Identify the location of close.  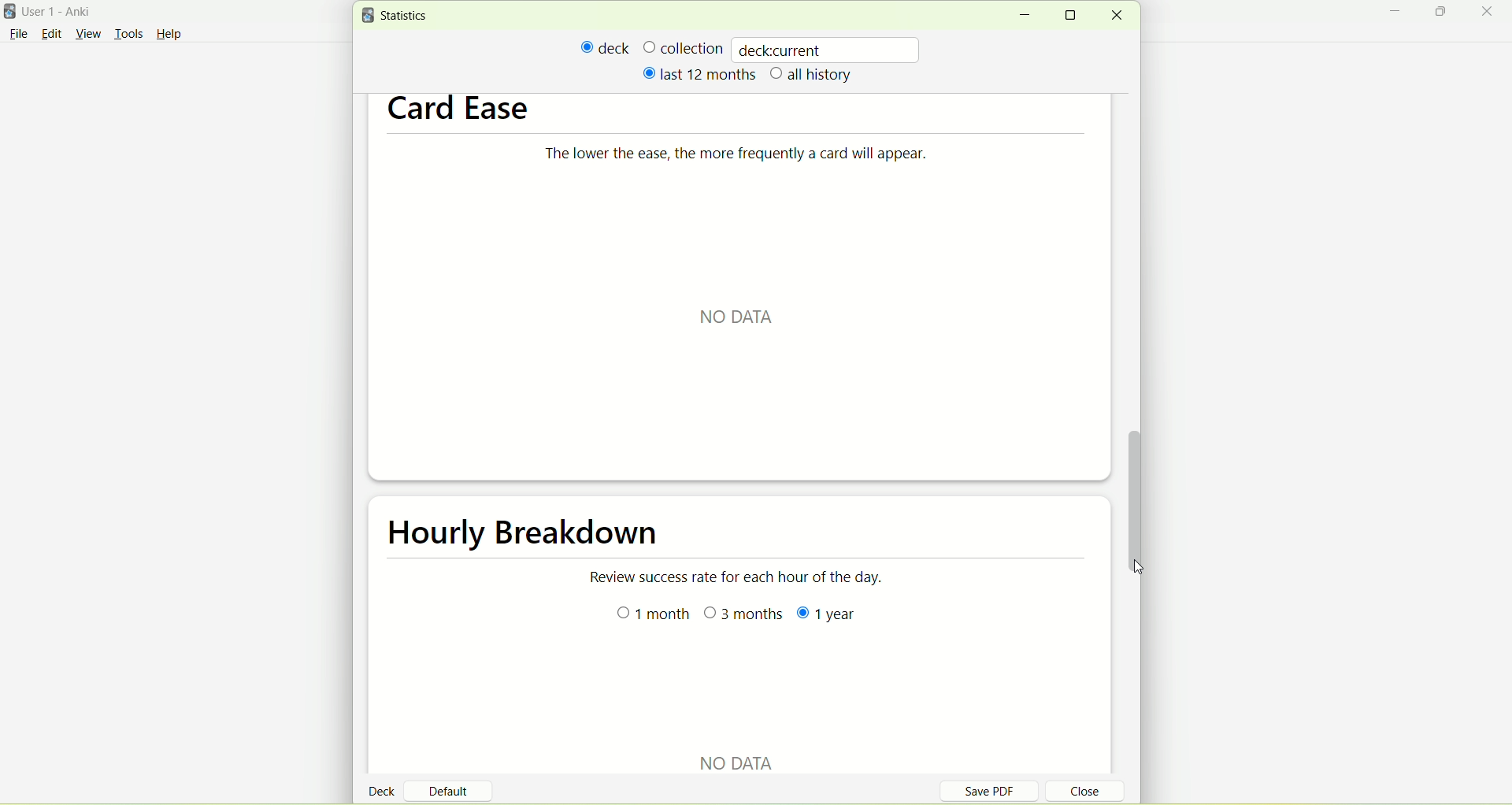
(1116, 16).